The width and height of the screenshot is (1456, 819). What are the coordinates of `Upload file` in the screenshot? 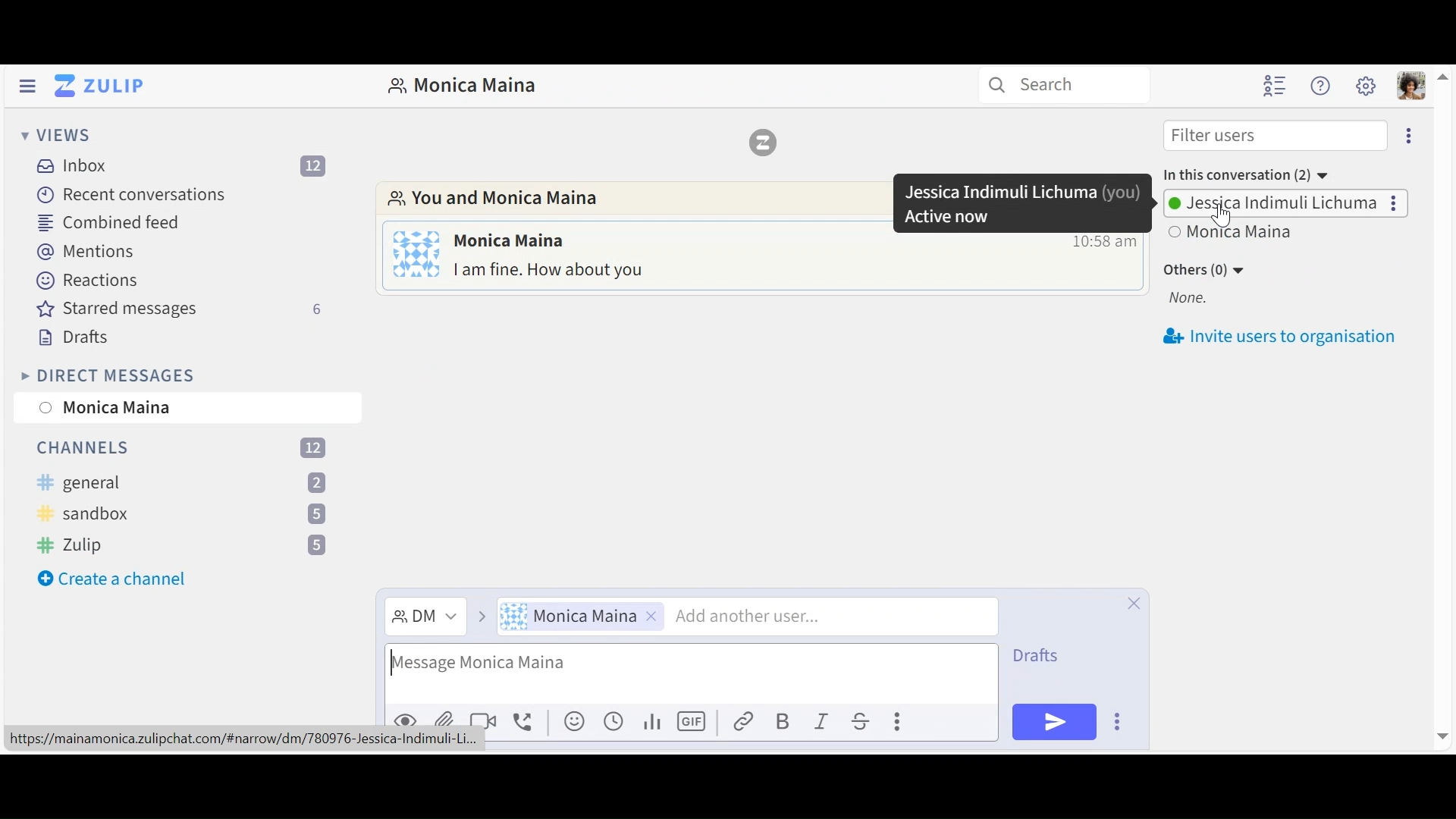 It's located at (447, 718).